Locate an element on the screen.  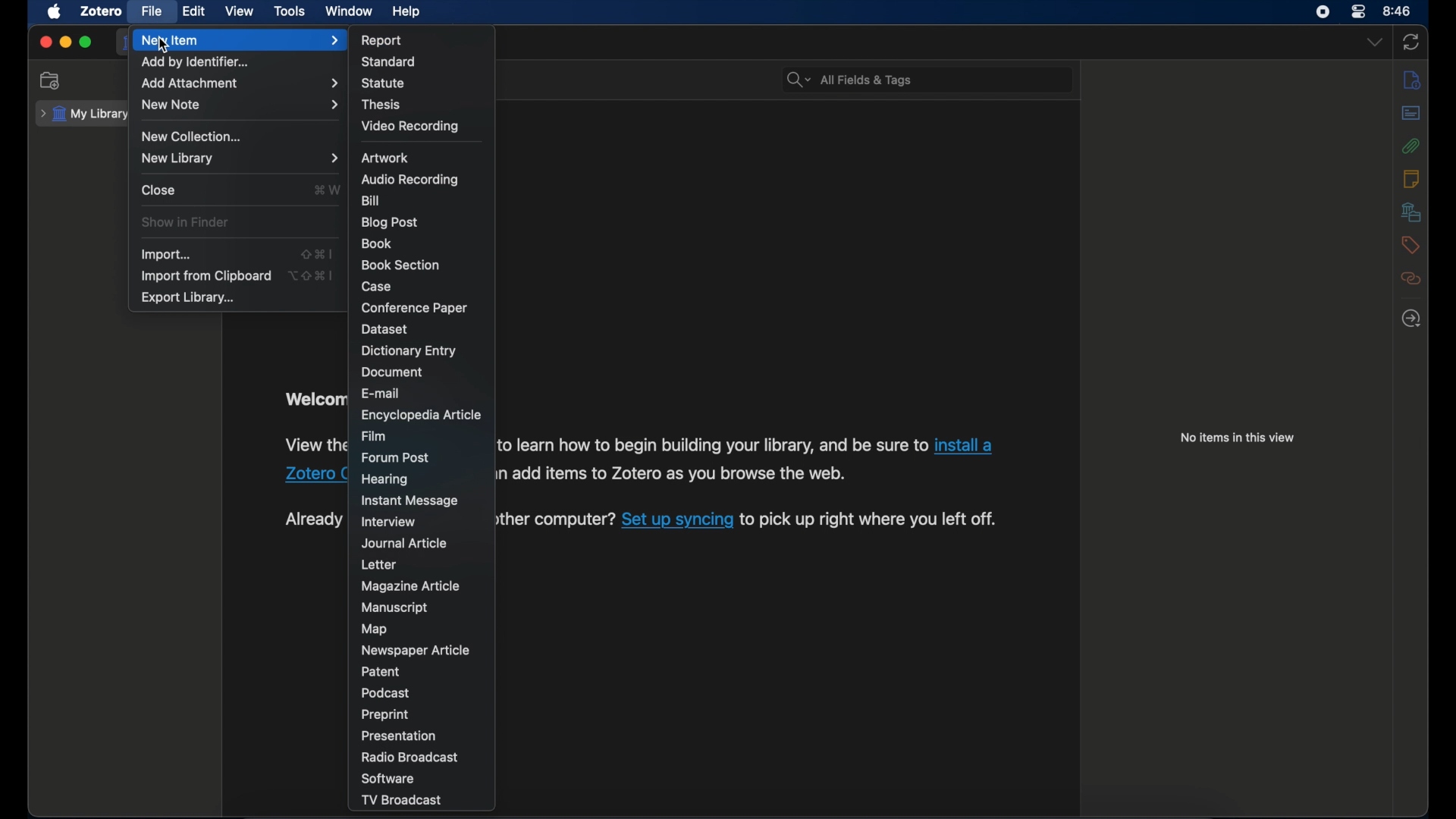
dataset is located at coordinates (388, 329).